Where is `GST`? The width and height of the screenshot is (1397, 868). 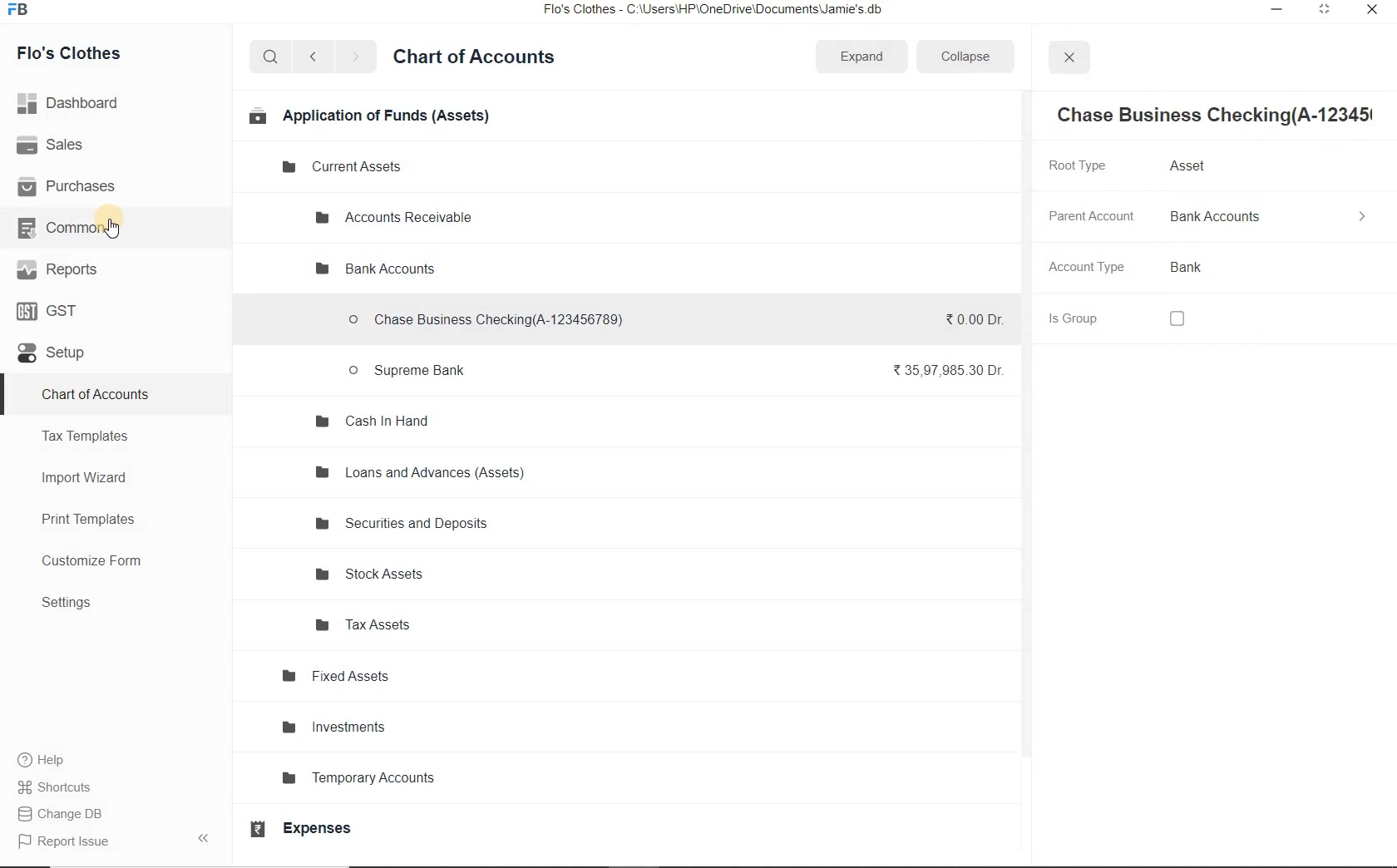 GST is located at coordinates (54, 309).